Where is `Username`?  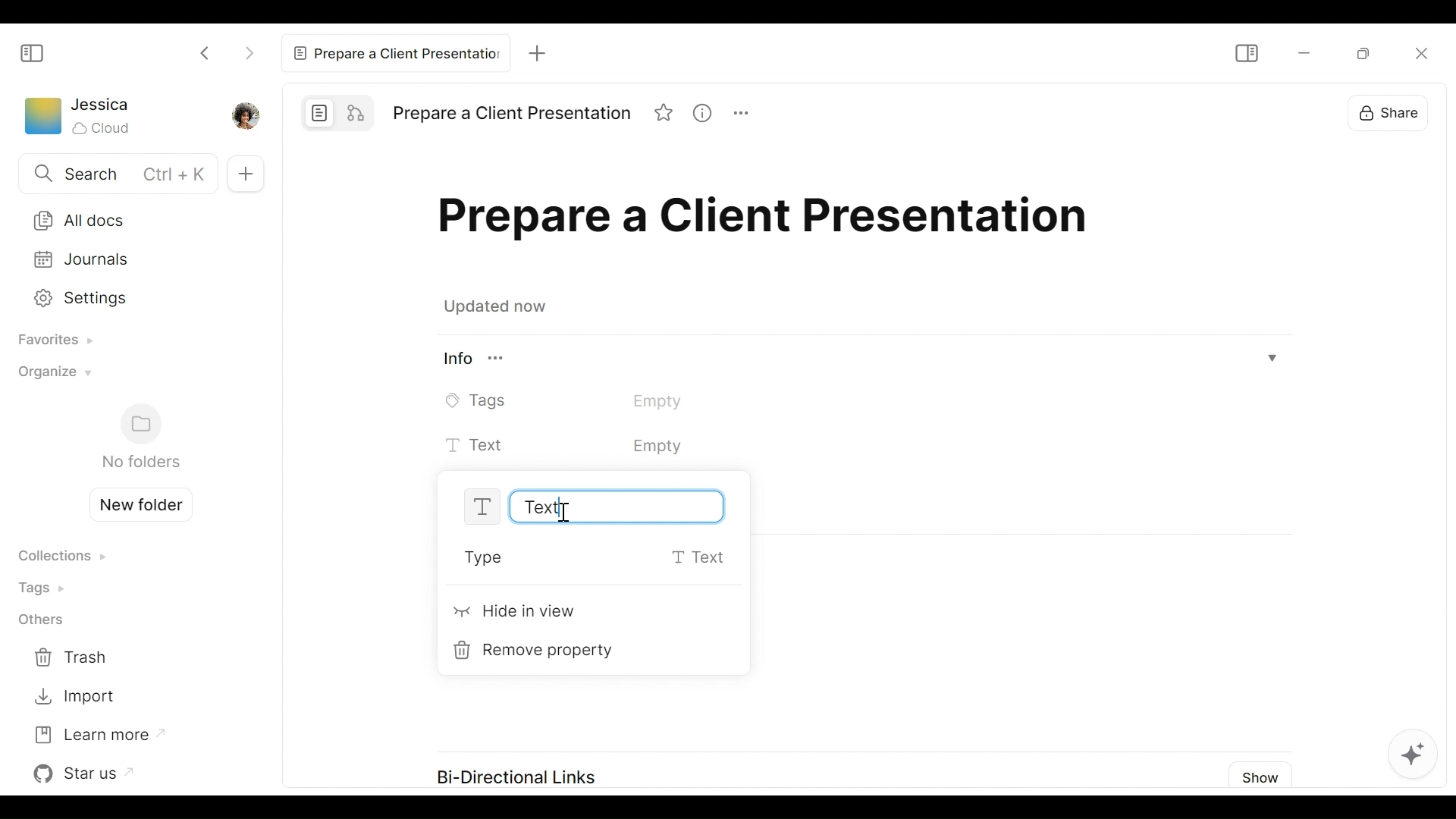 Username is located at coordinates (102, 105).